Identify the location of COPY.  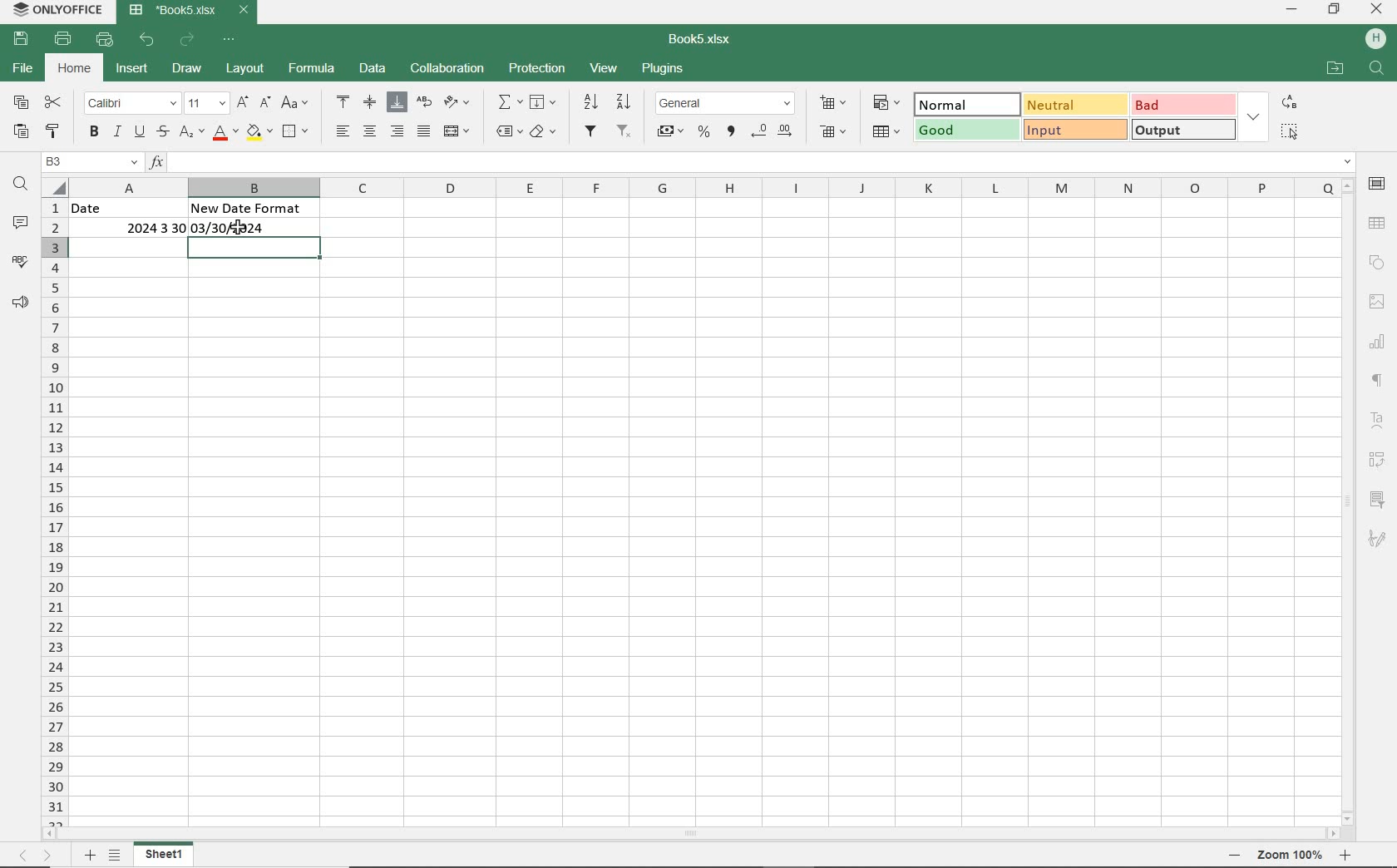
(22, 103).